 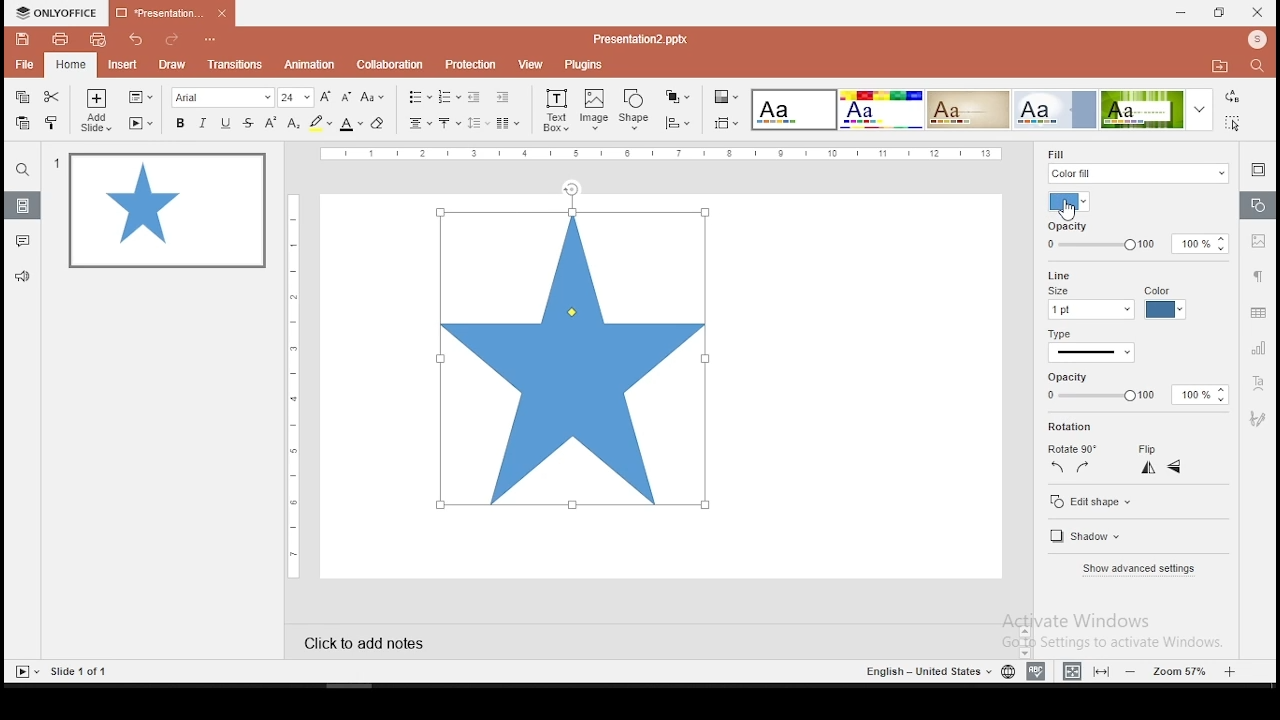 What do you see at coordinates (880, 110) in the screenshot?
I see `` at bounding box center [880, 110].